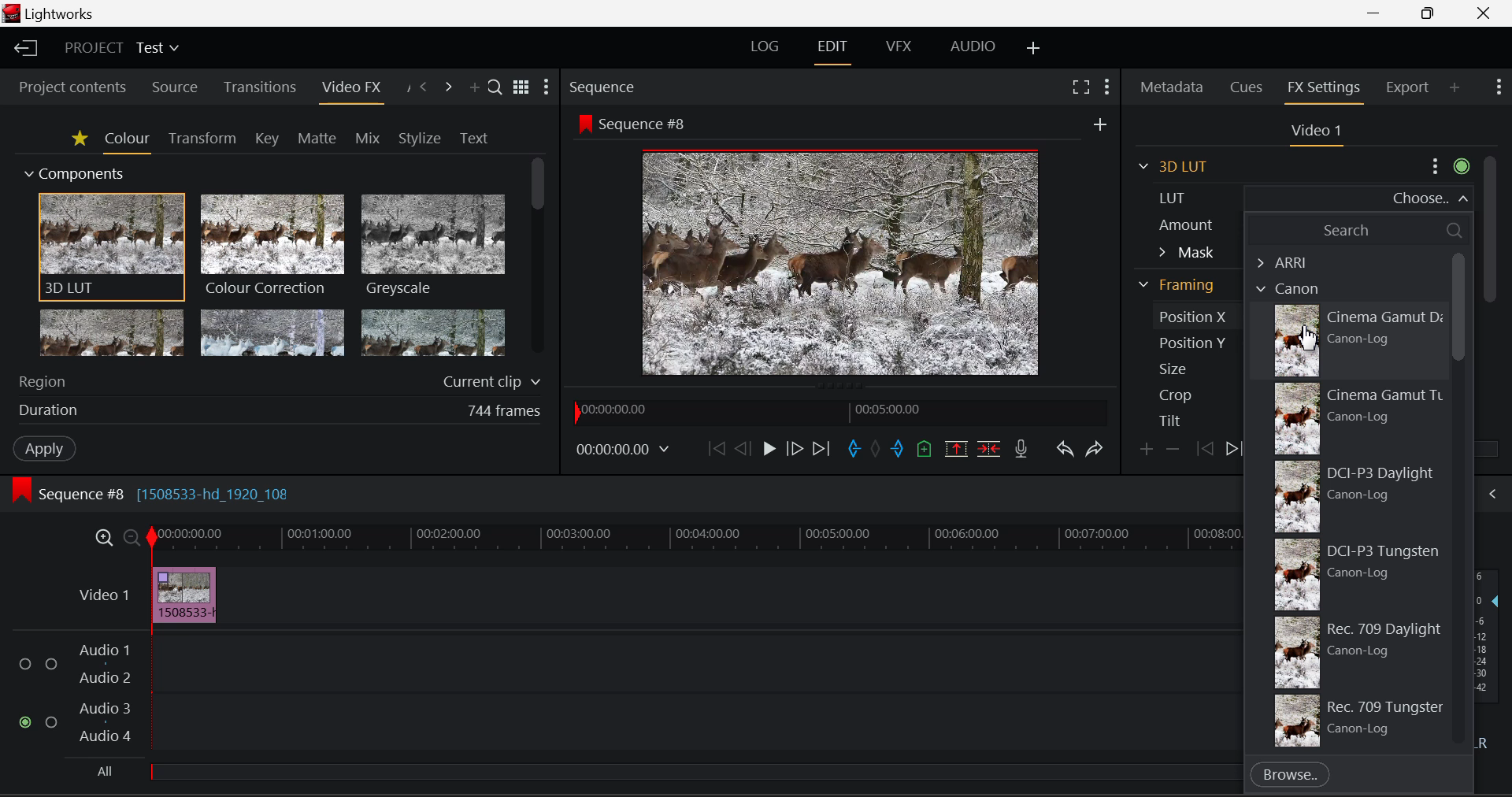 The width and height of the screenshot is (1512, 797). What do you see at coordinates (696, 661) in the screenshot?
I see `Audio Track` at bounding box center [696, 661].